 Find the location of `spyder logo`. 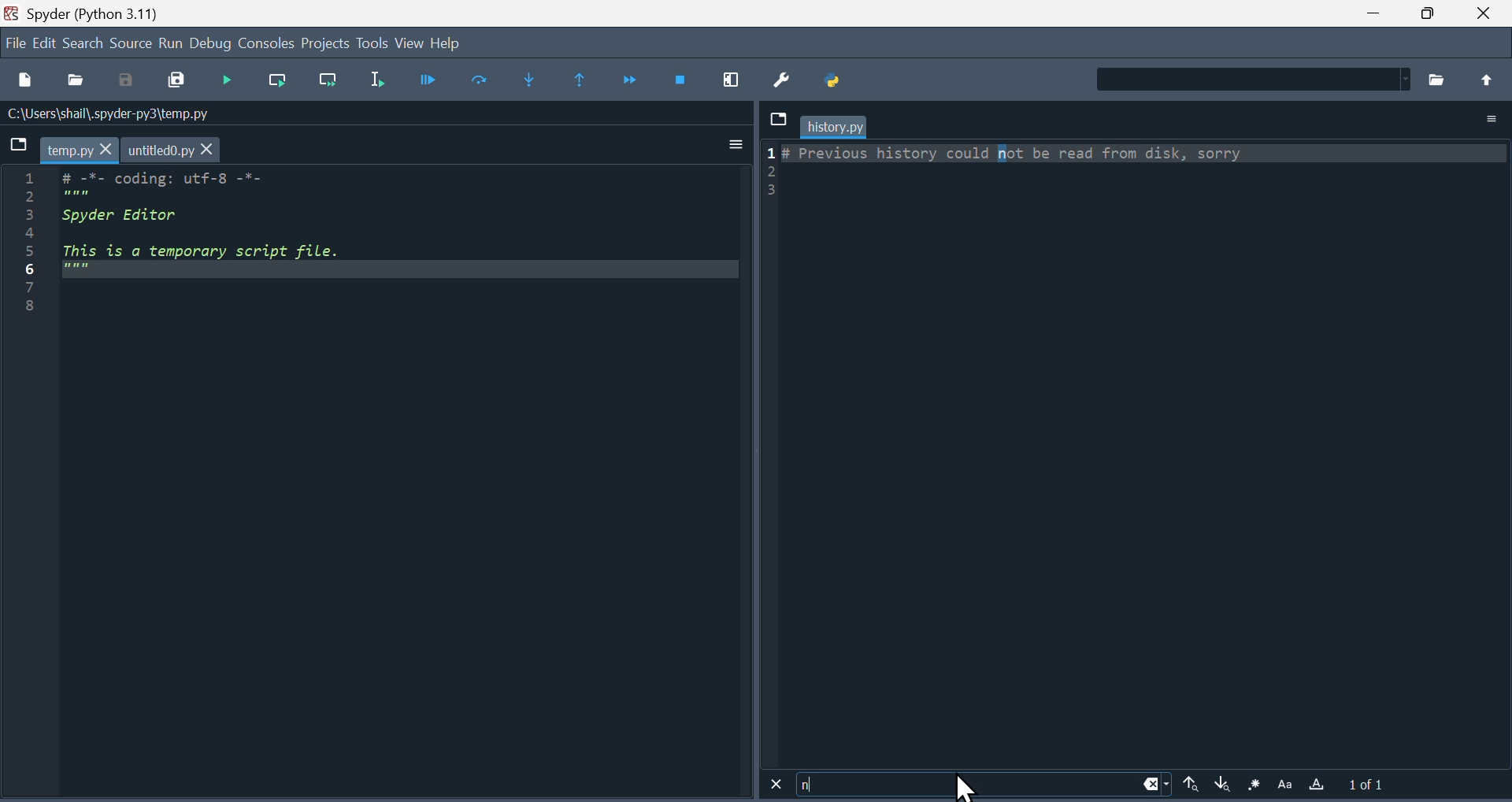

spyder logo is located at coordinates (9, 13).